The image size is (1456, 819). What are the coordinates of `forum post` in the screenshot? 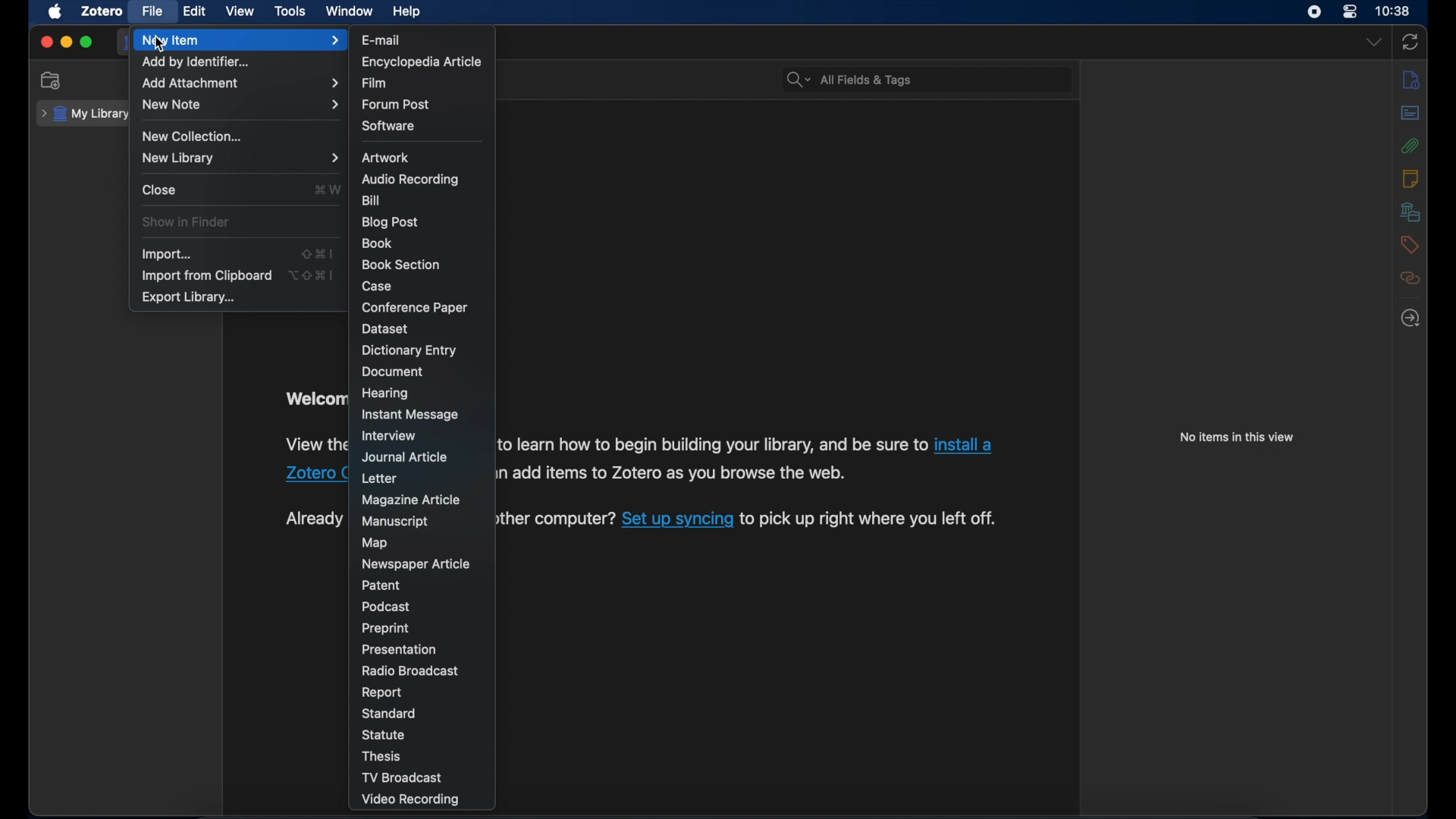 It's located at (396, 104).